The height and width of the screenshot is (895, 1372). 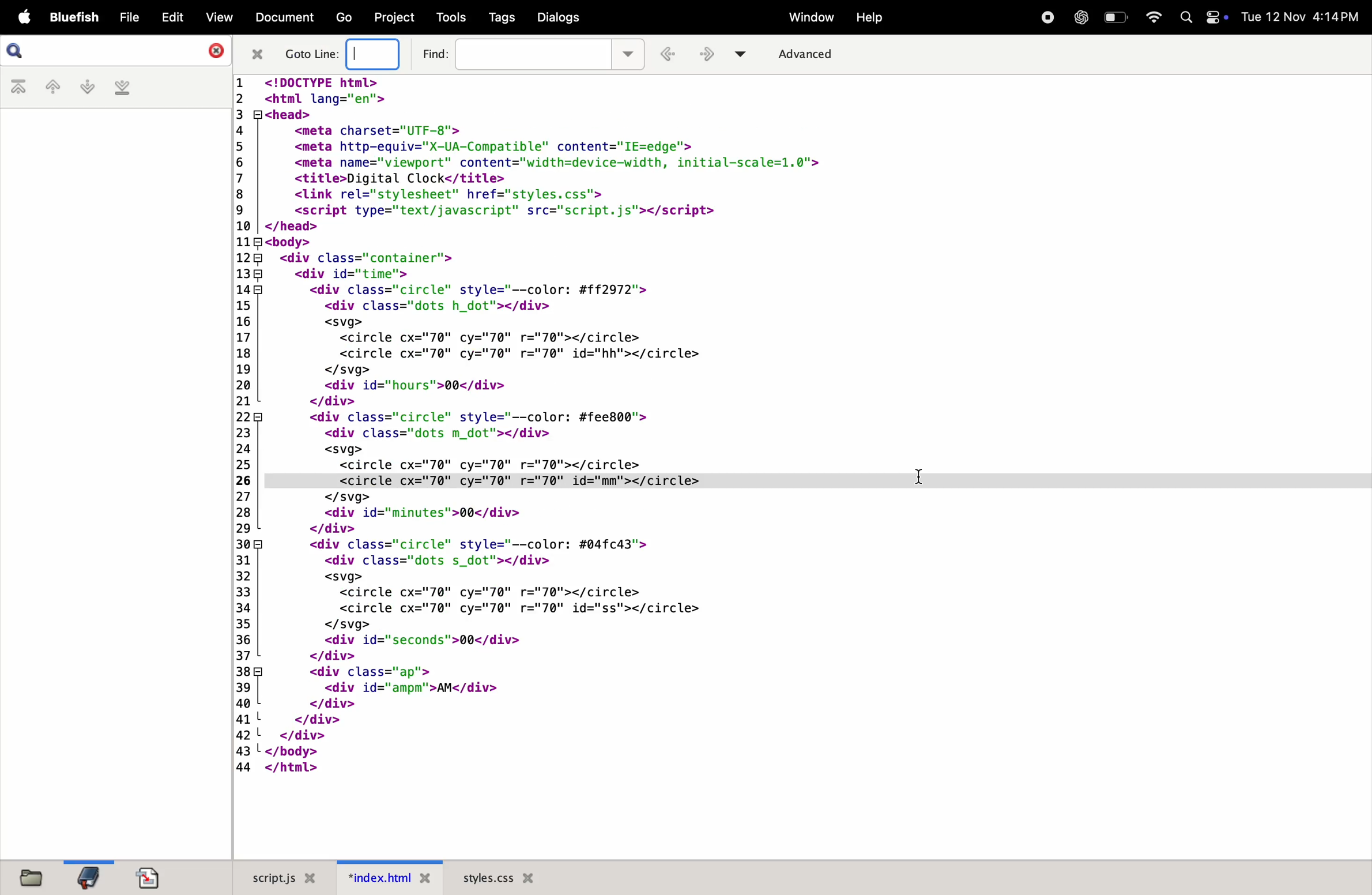 I want to click on Spotlight, so click(x=1186, y=17).